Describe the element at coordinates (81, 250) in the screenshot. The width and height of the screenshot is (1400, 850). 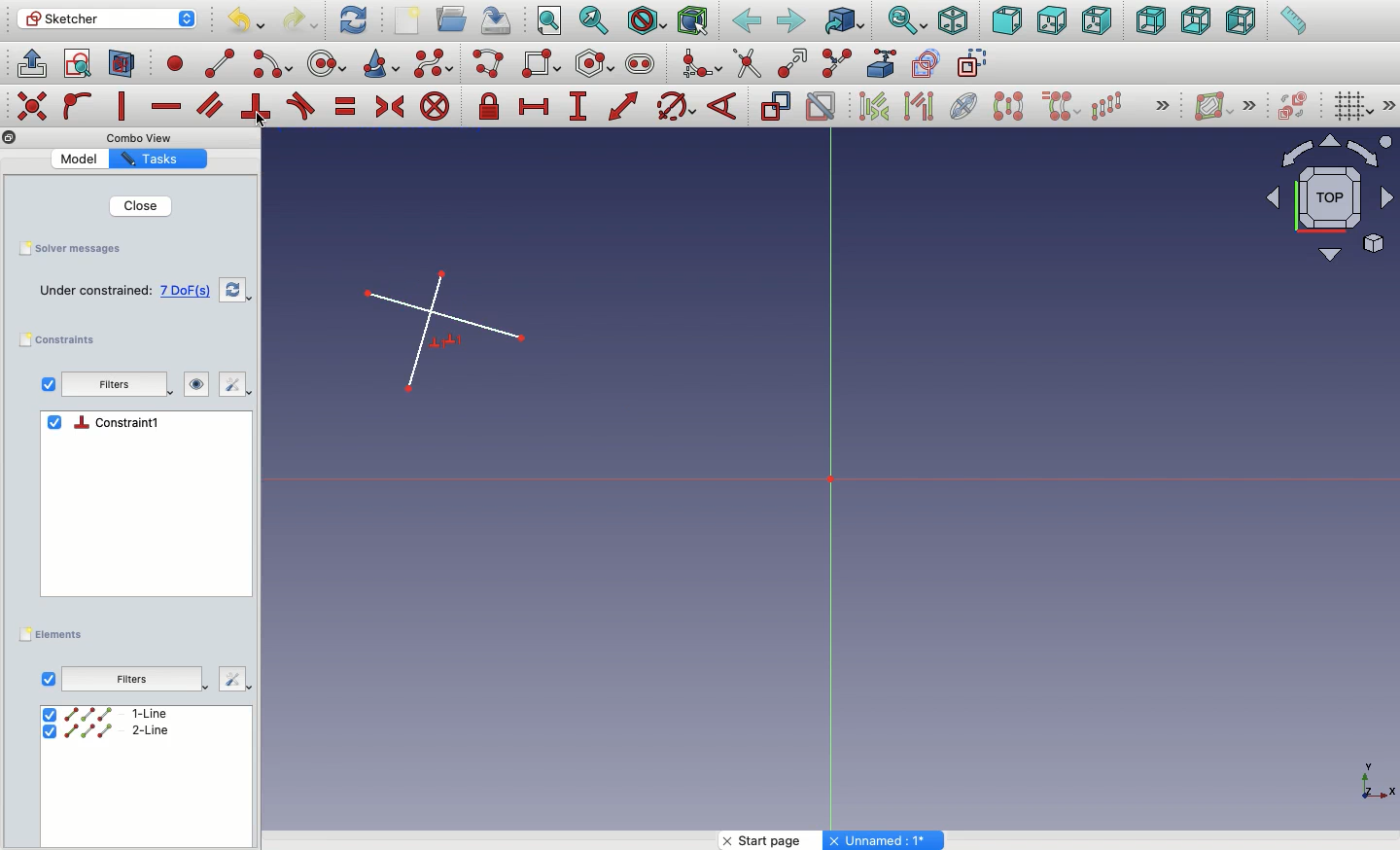
I see `Save` at that location.